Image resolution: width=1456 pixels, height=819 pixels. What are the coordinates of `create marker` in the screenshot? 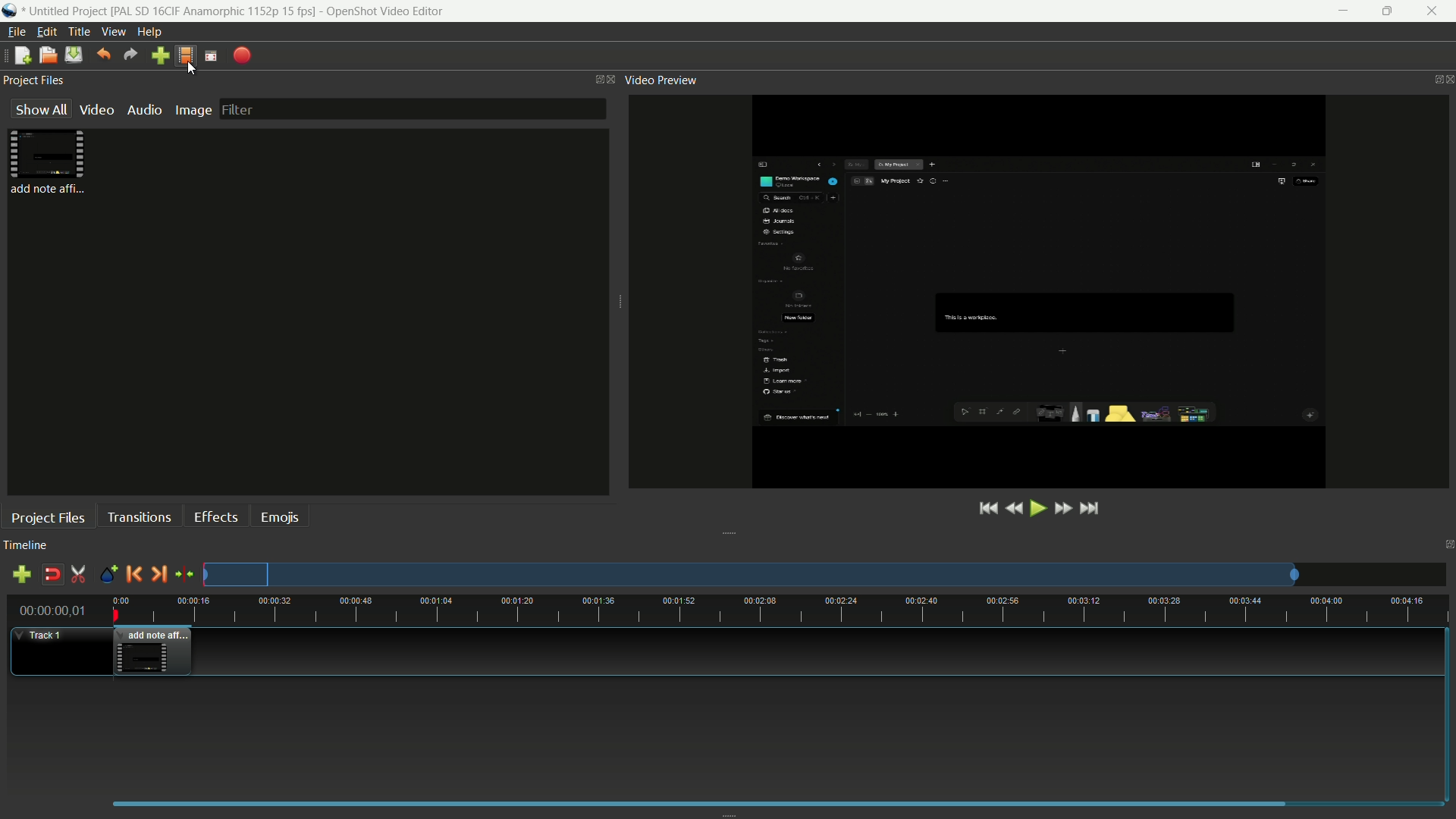 It's located at (108, 575).